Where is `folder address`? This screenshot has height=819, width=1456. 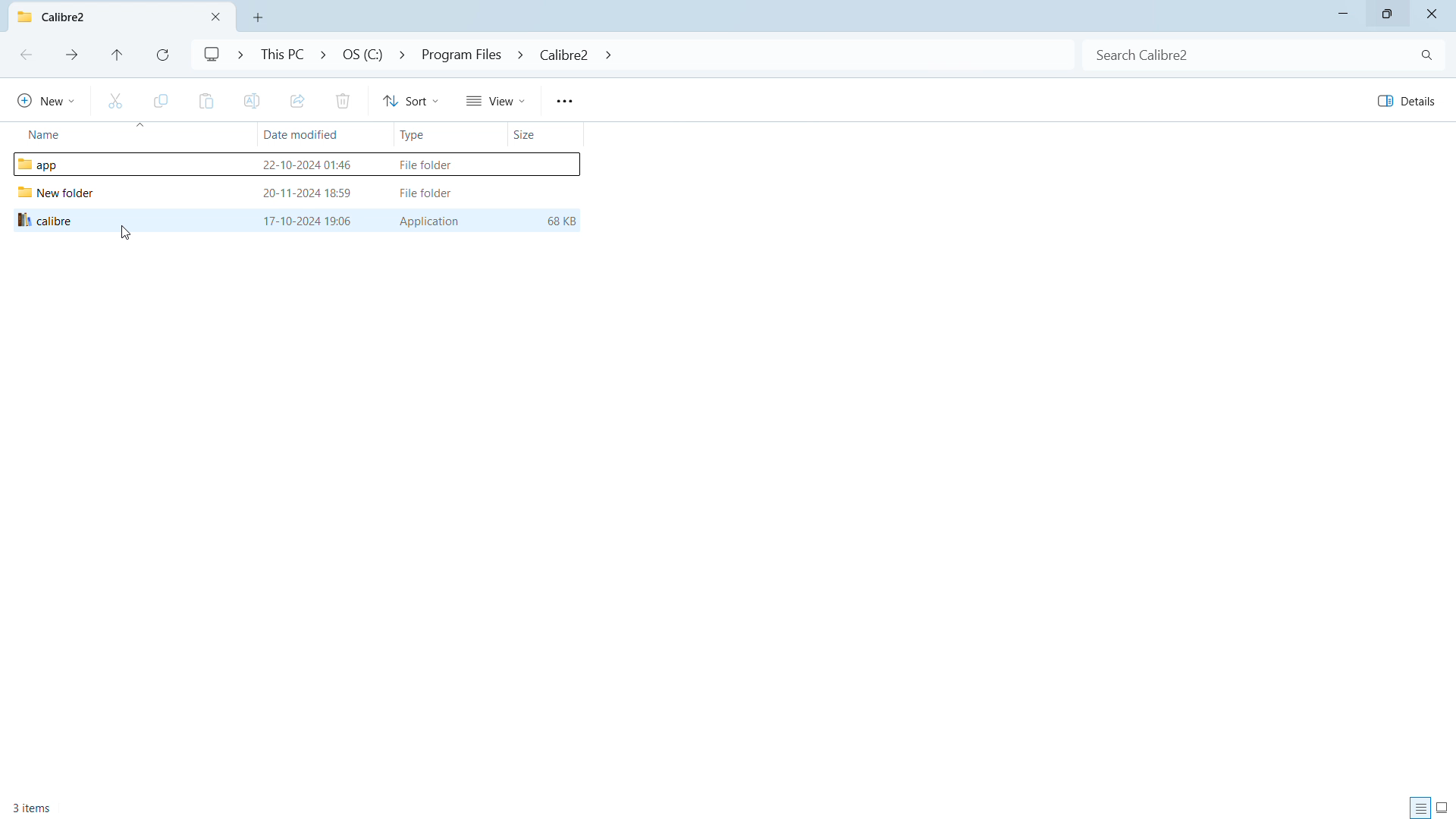
folder address is located at coordinates (632, 55).